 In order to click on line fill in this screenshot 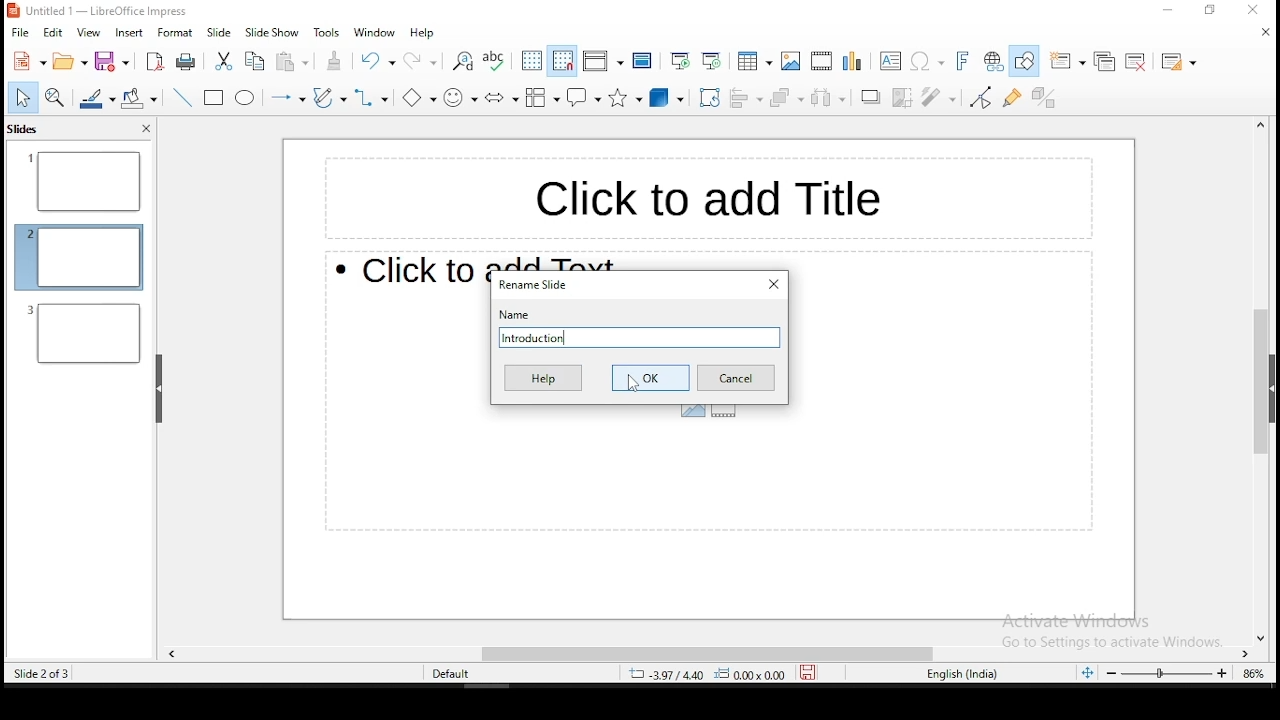, I will do `click(95, 98)`.